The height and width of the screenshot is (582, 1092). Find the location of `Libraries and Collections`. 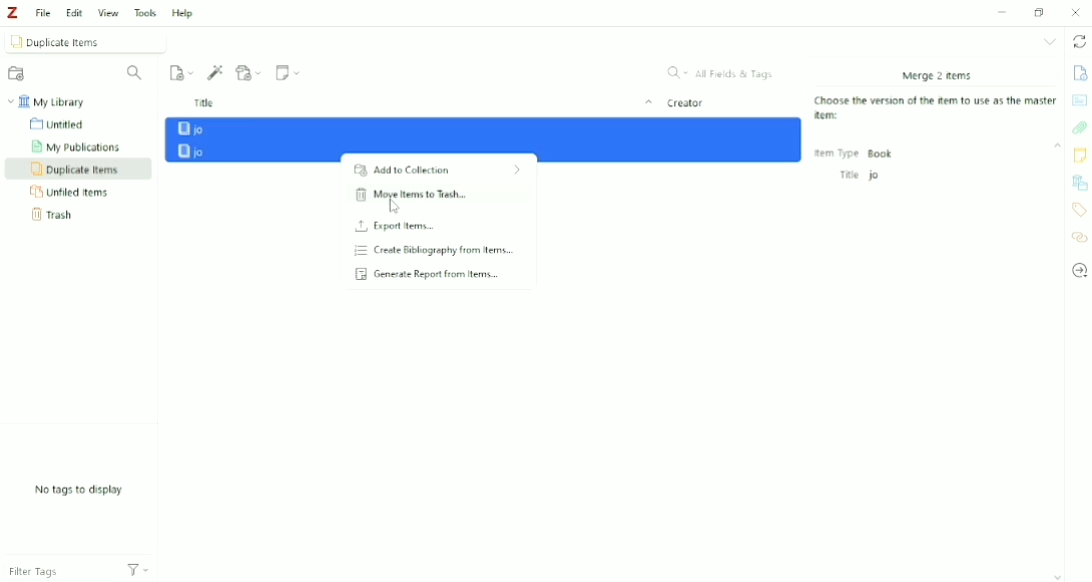

Libraries and Collections is located at coordinates (1080, 181).